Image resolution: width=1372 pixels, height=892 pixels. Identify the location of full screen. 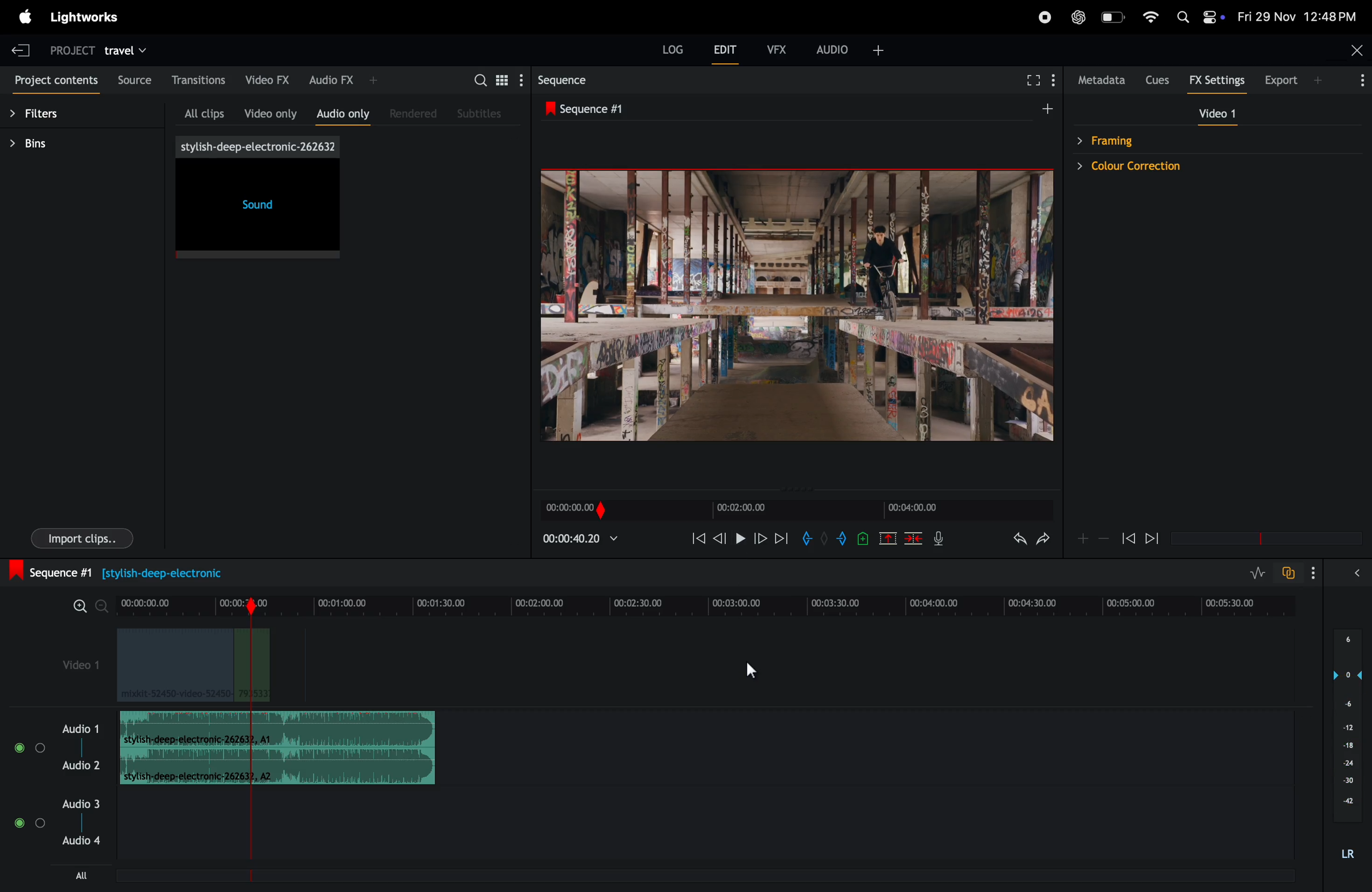
(1030, 82).